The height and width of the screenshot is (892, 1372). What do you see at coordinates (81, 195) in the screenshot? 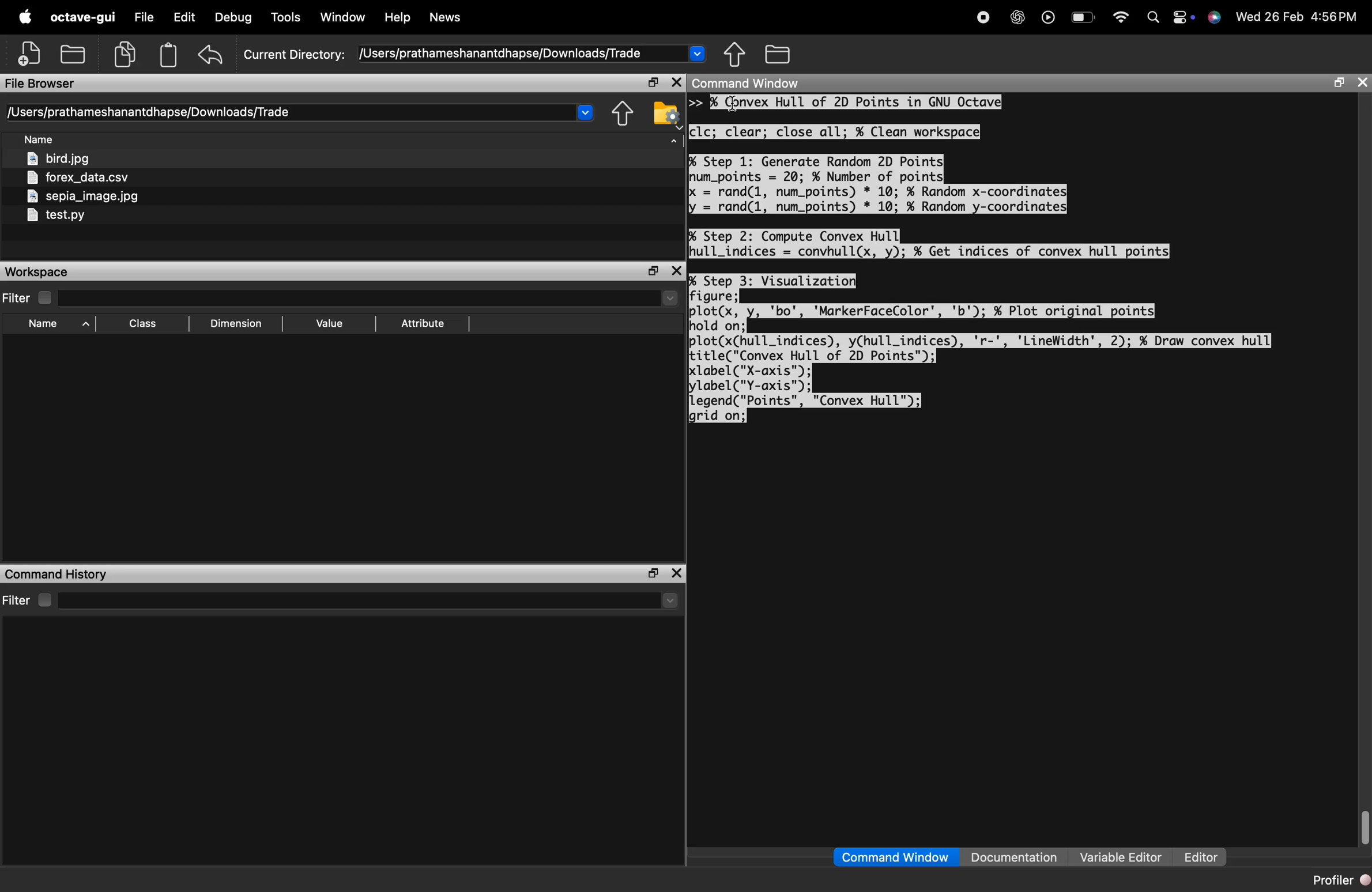
I see `sepia_image.jpg` at bounding box center [81, 195].